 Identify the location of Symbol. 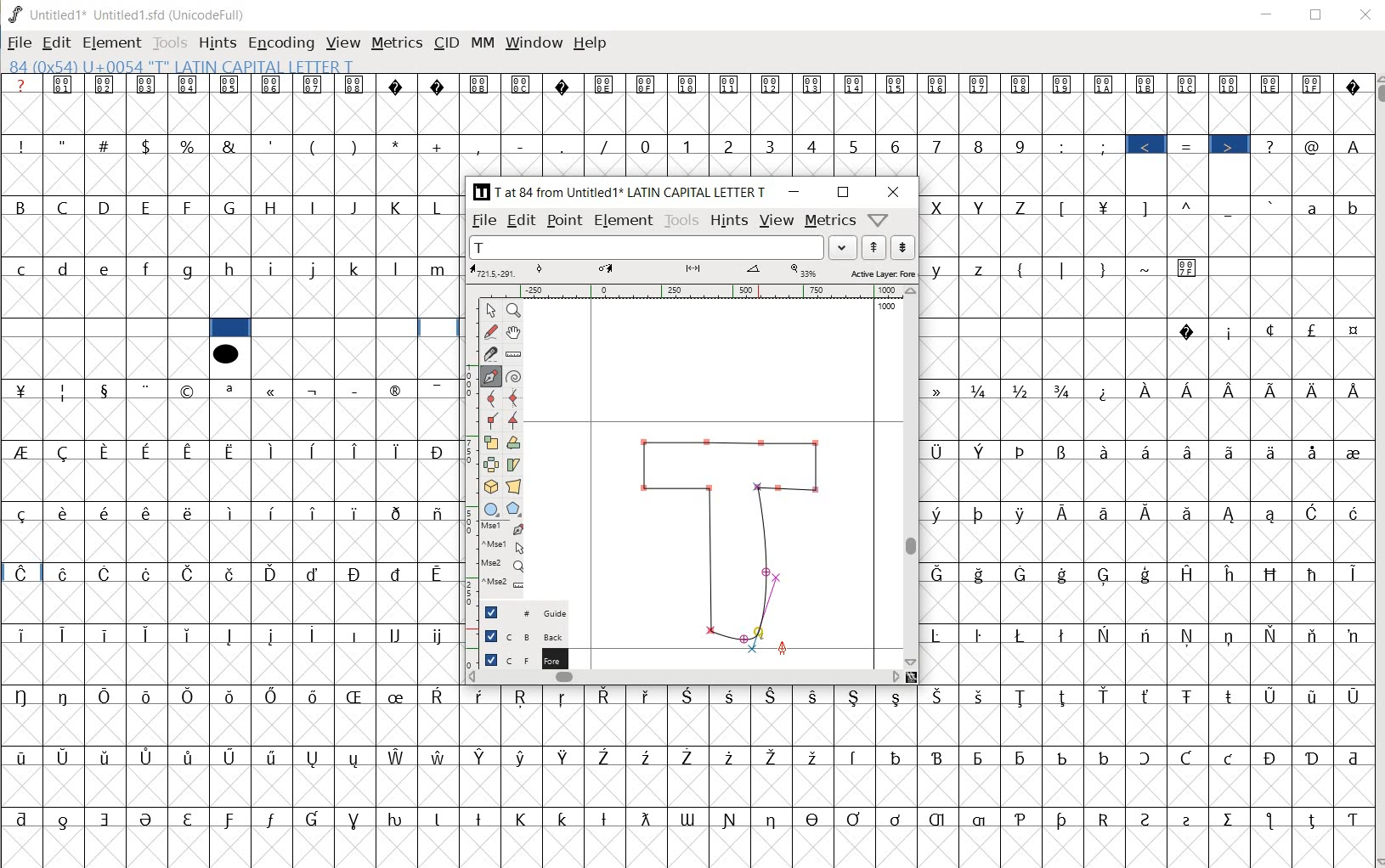
(67, 452).